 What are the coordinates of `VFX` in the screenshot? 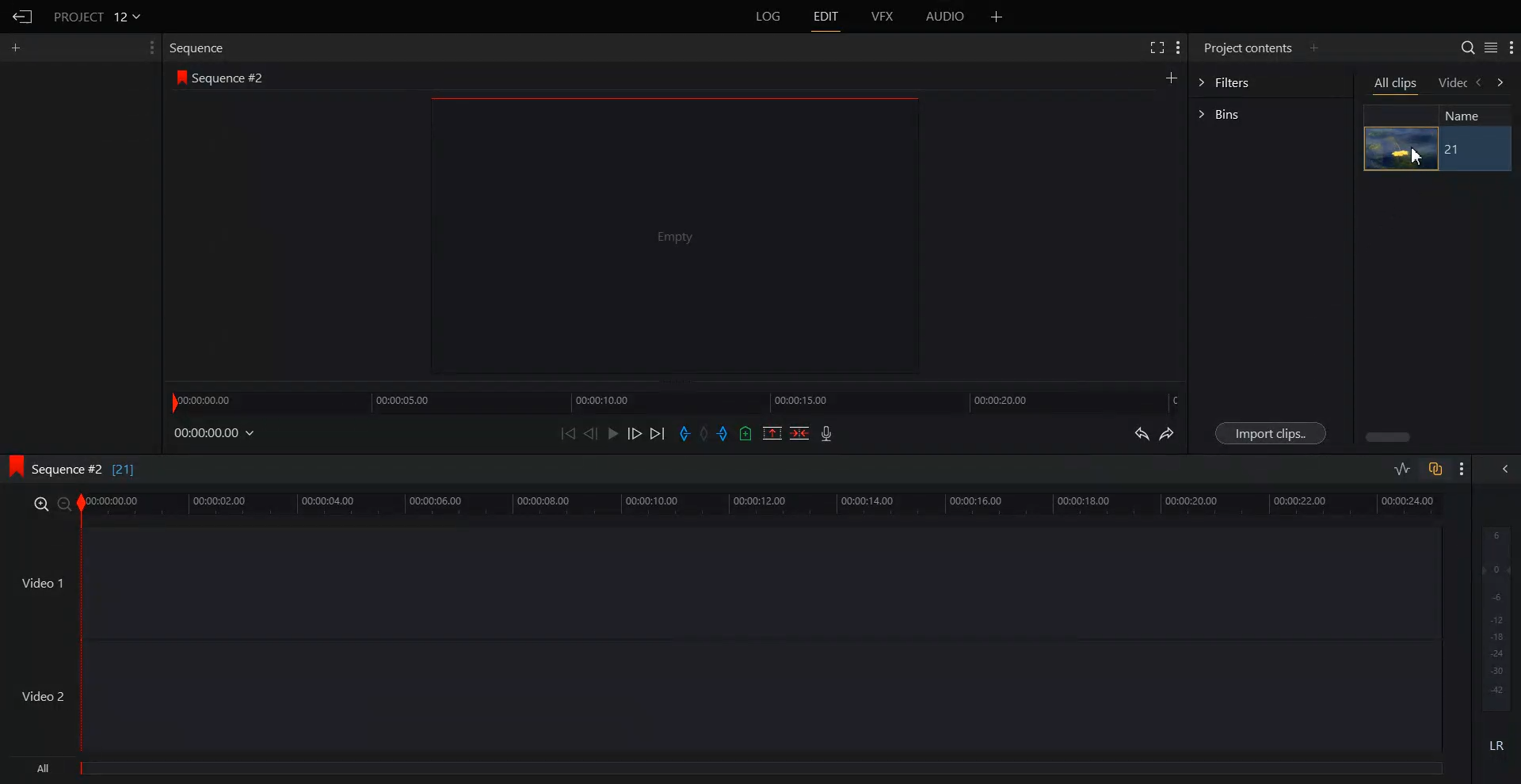 It's located at (884, 17).